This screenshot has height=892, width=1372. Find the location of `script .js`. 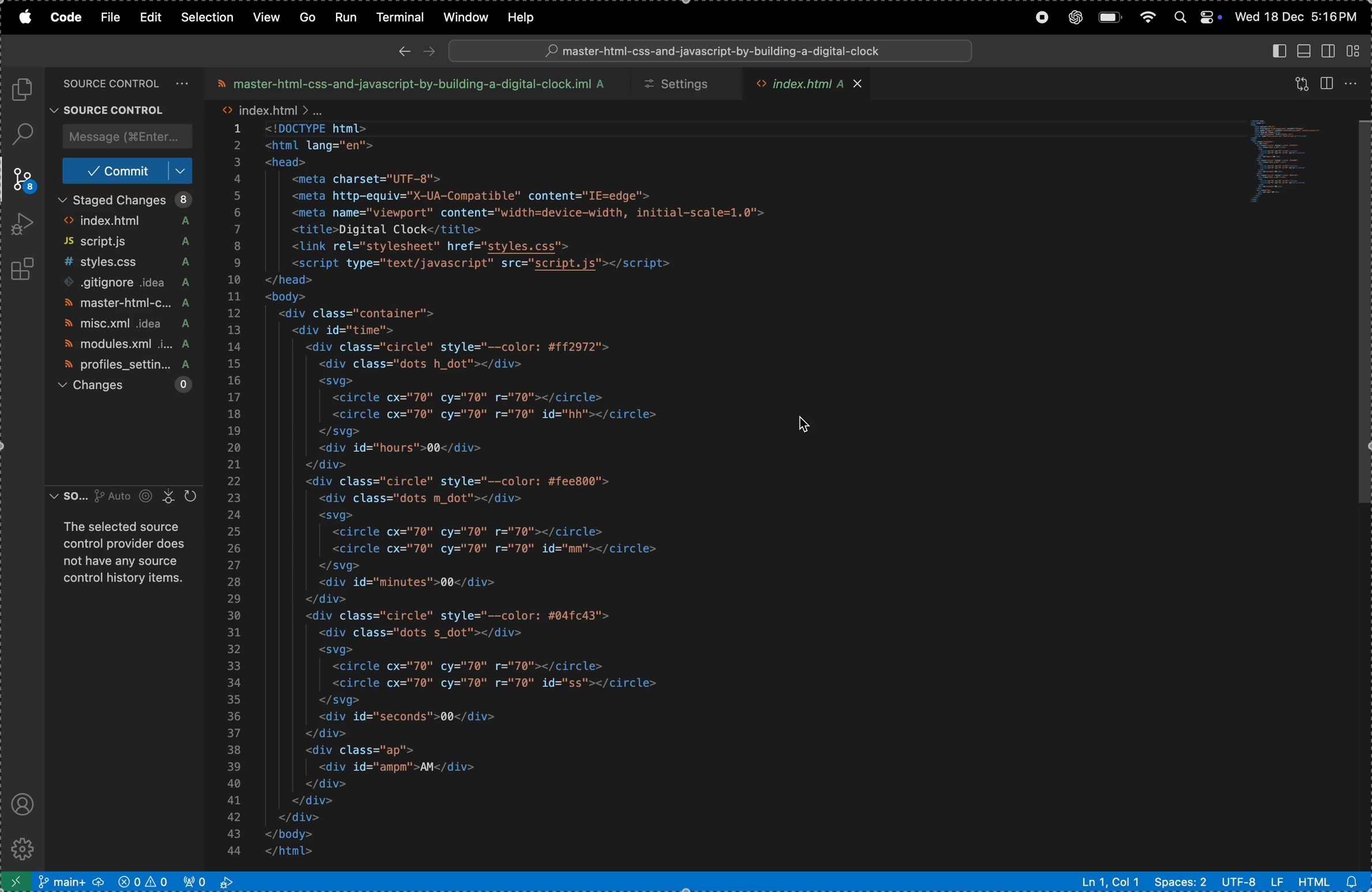

script .js is located at coordinates (125, 243).